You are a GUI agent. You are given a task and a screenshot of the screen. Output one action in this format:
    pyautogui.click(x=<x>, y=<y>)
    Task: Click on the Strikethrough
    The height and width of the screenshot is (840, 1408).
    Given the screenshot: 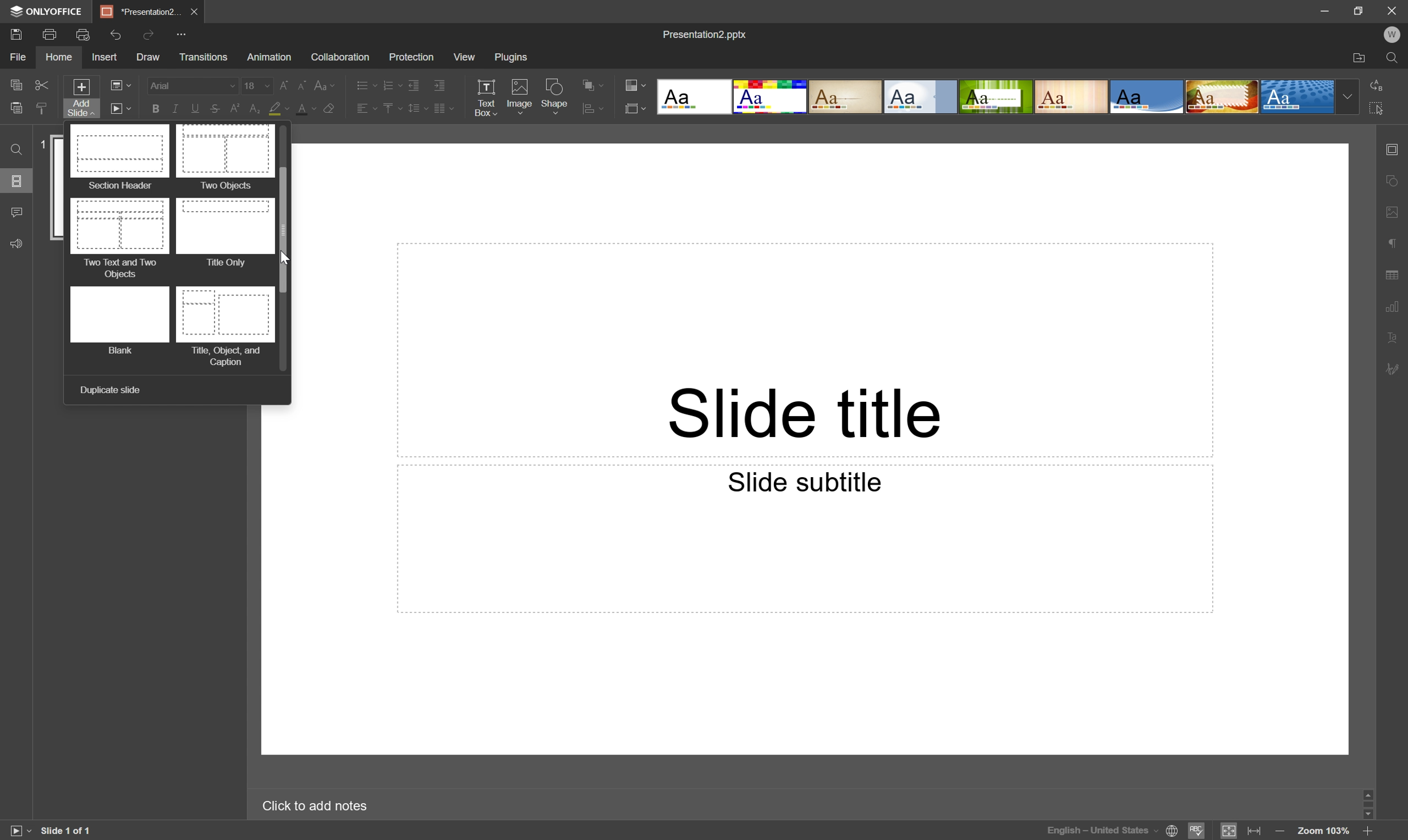 What is the action you would take?
    pyautogui.click(x=213, y=109)
    